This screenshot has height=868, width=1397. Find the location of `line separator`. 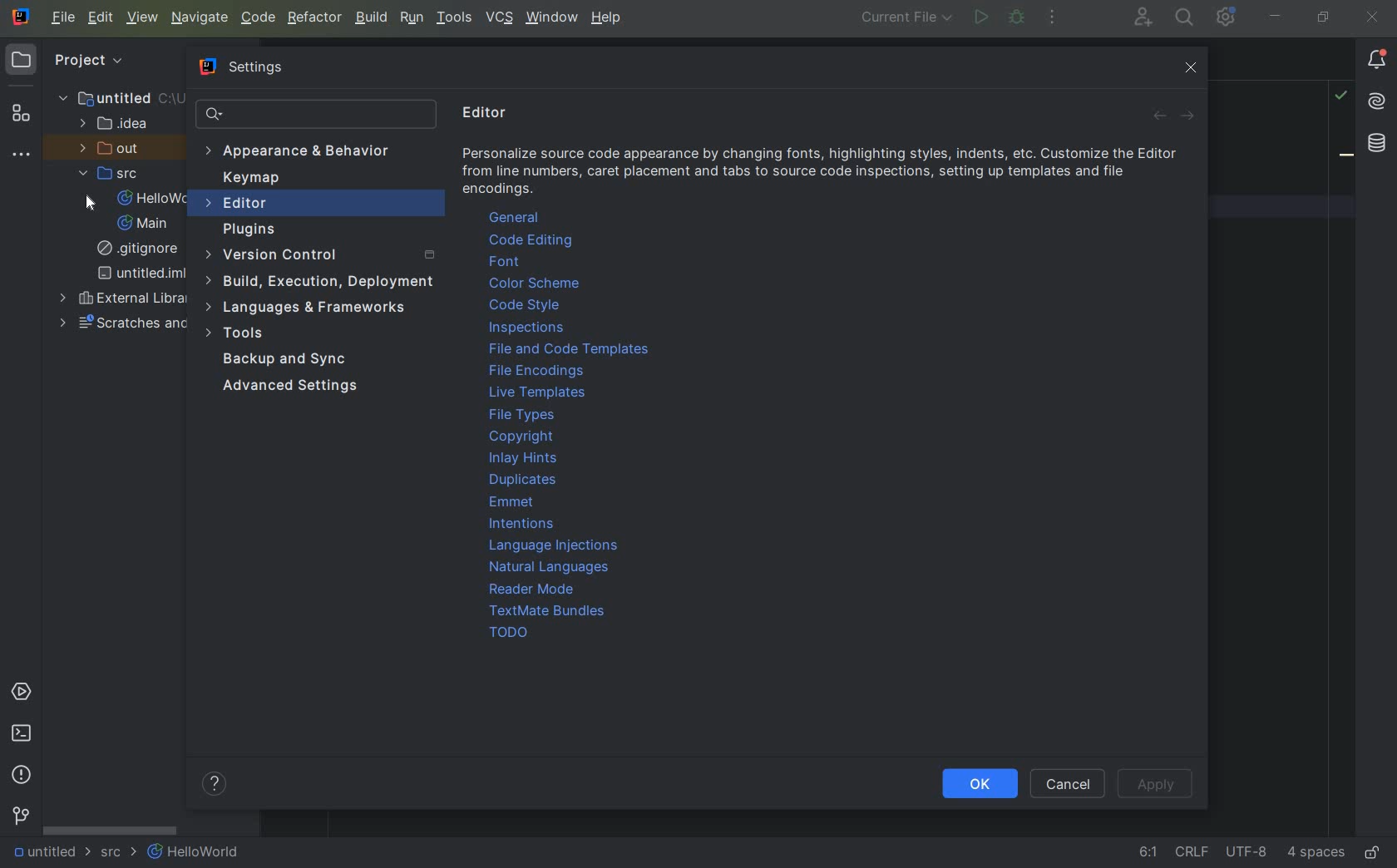

line separator is located at coordinates (1192, 854).